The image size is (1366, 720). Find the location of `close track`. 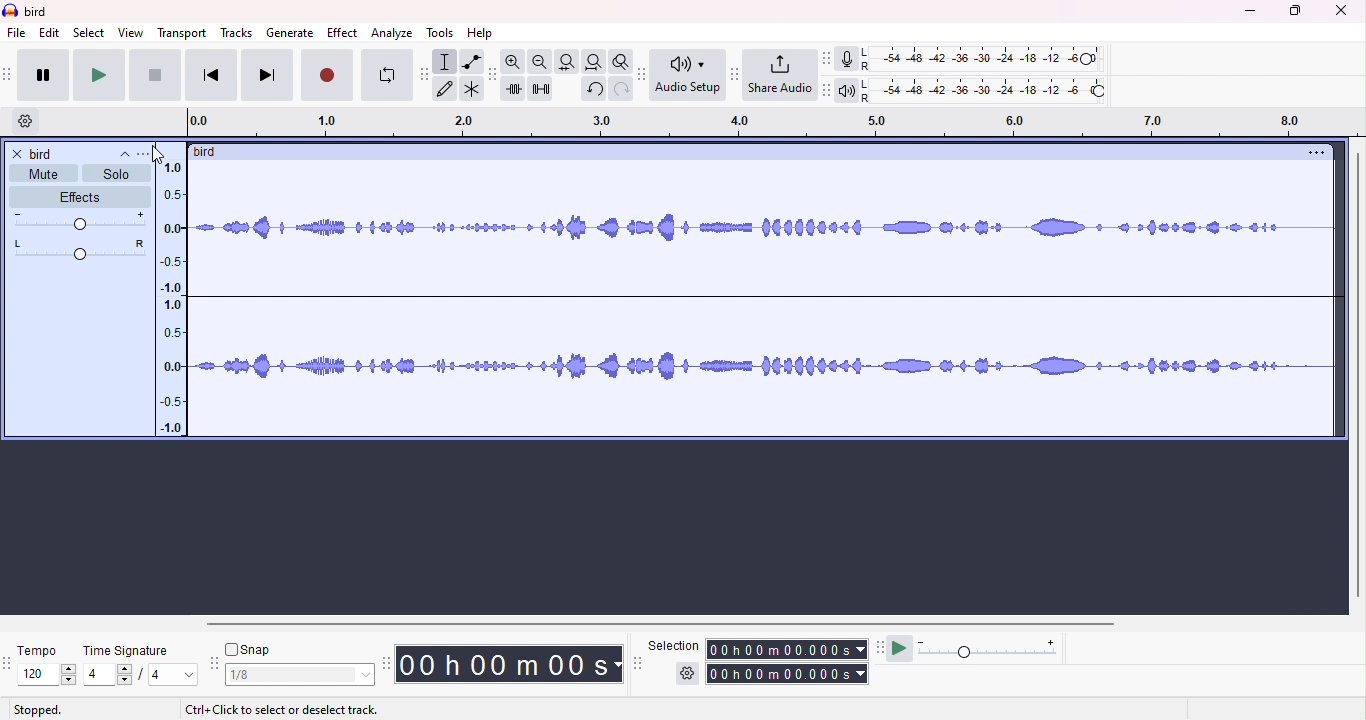

close track is located at coordinates (19, 155).